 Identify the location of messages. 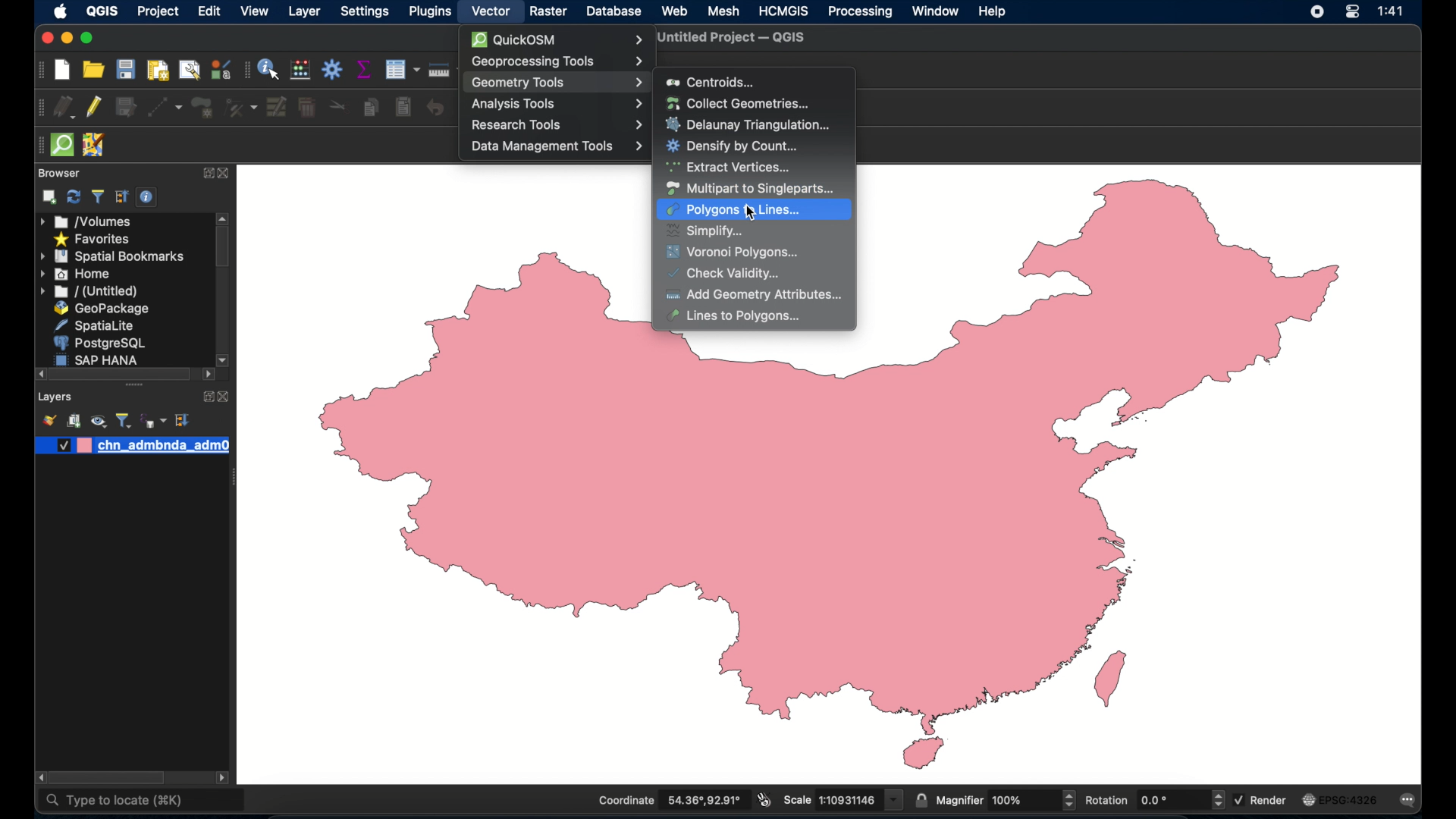
(1410, 800).